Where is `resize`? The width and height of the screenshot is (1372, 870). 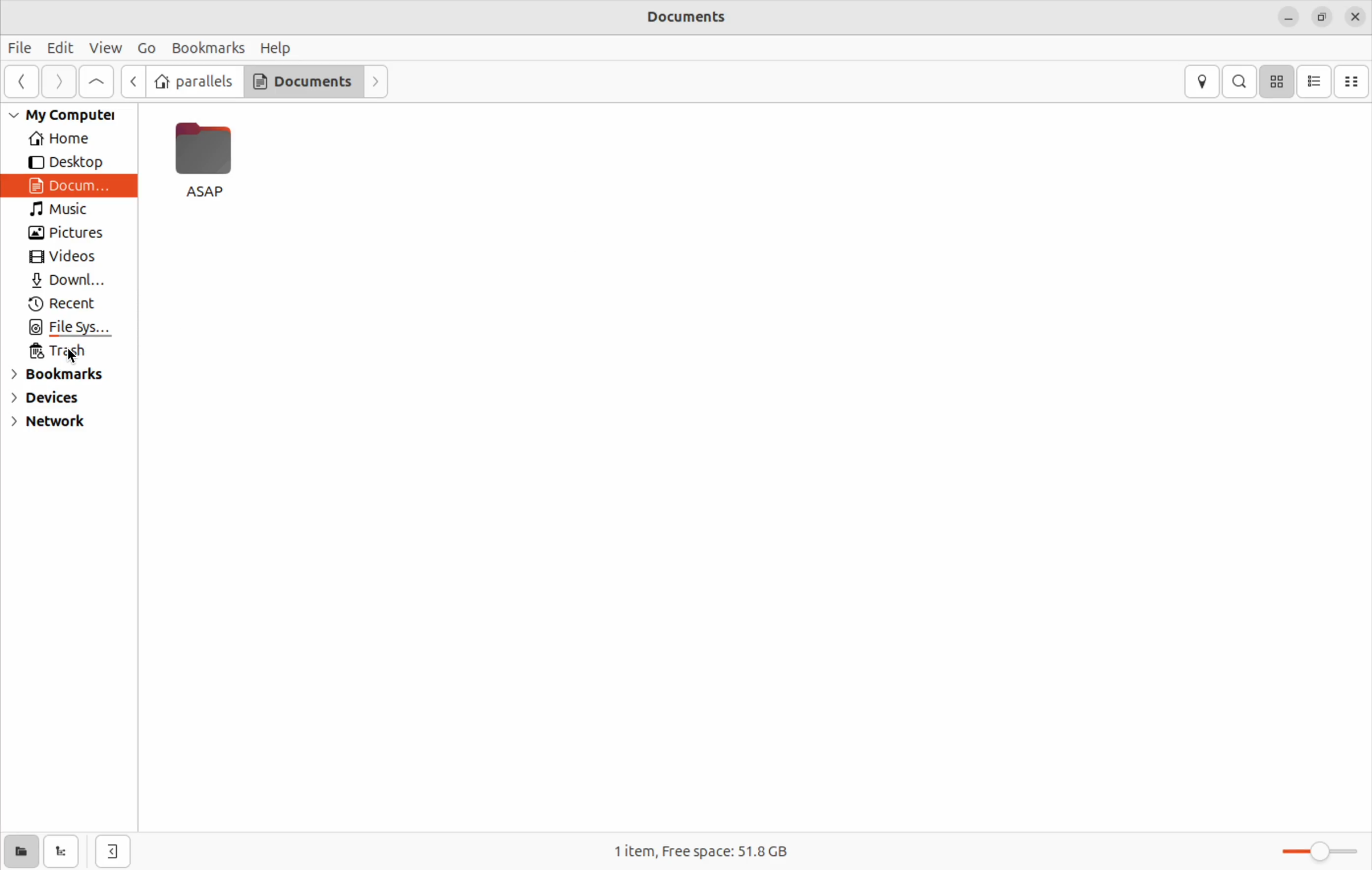
resize is located at coordinates (1322, 18).